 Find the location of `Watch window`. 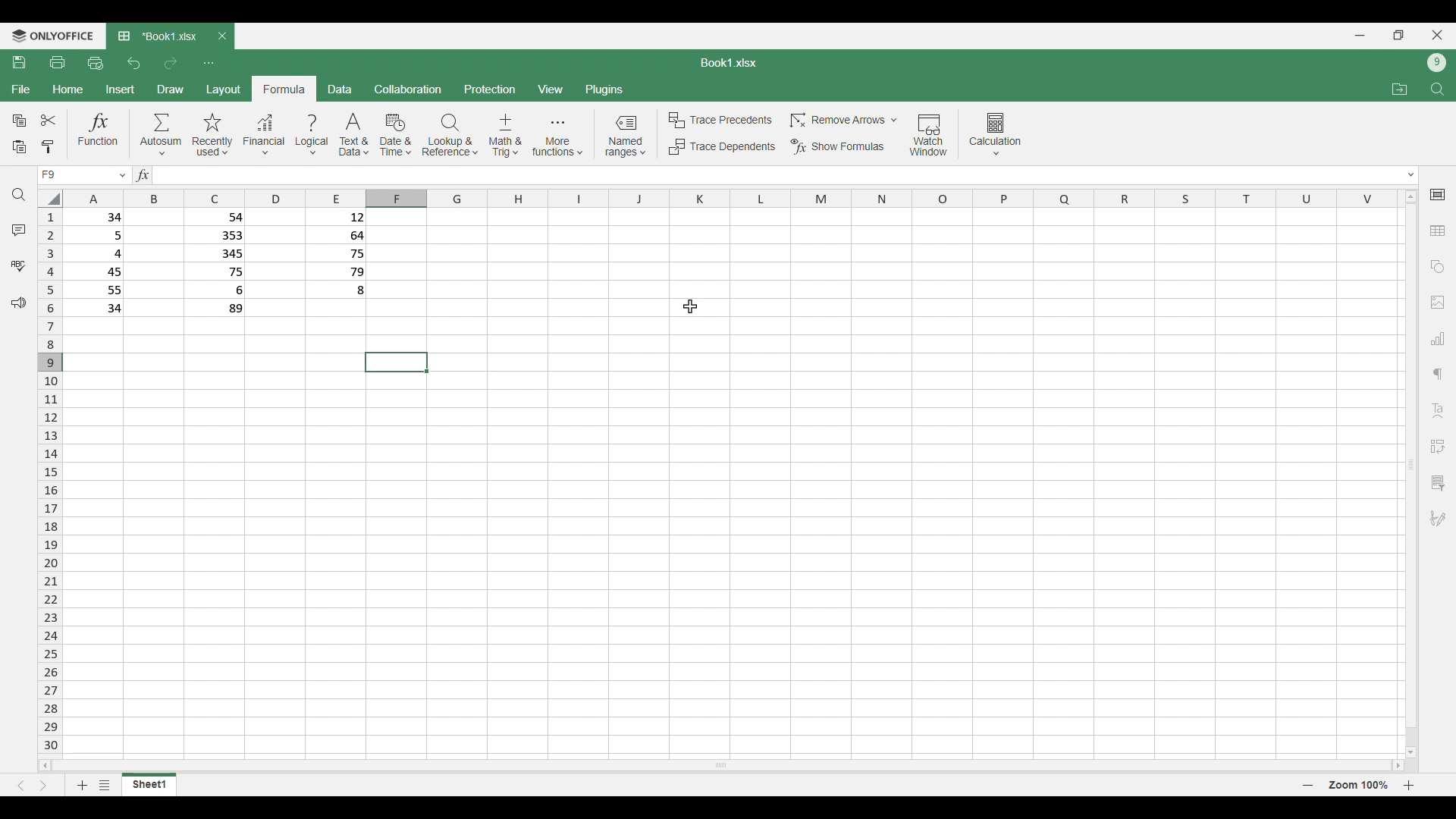

Watch window is located at coordinates (929, 135).